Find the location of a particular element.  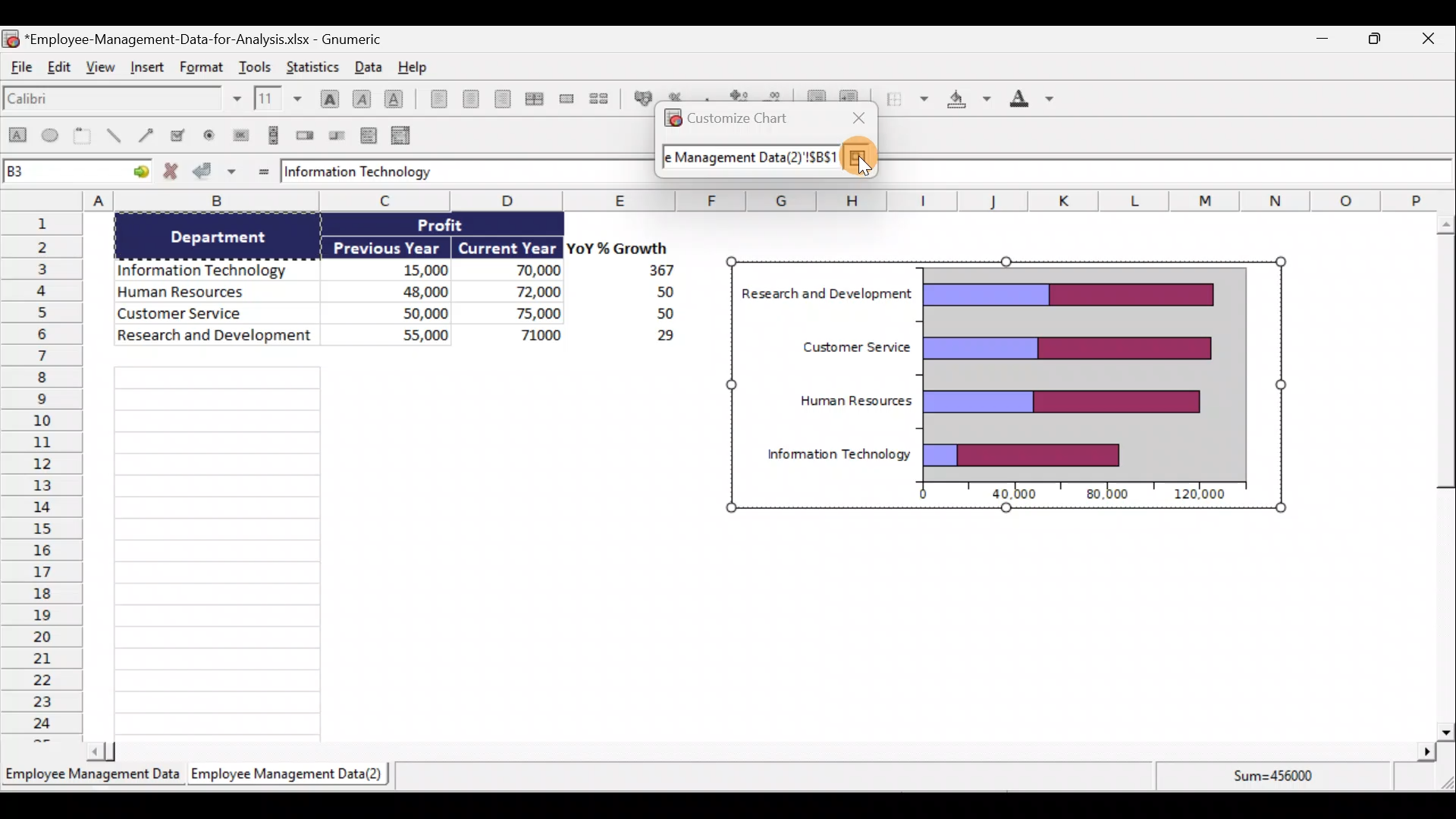

Font name Calibri is located at coordinates (121, 102).